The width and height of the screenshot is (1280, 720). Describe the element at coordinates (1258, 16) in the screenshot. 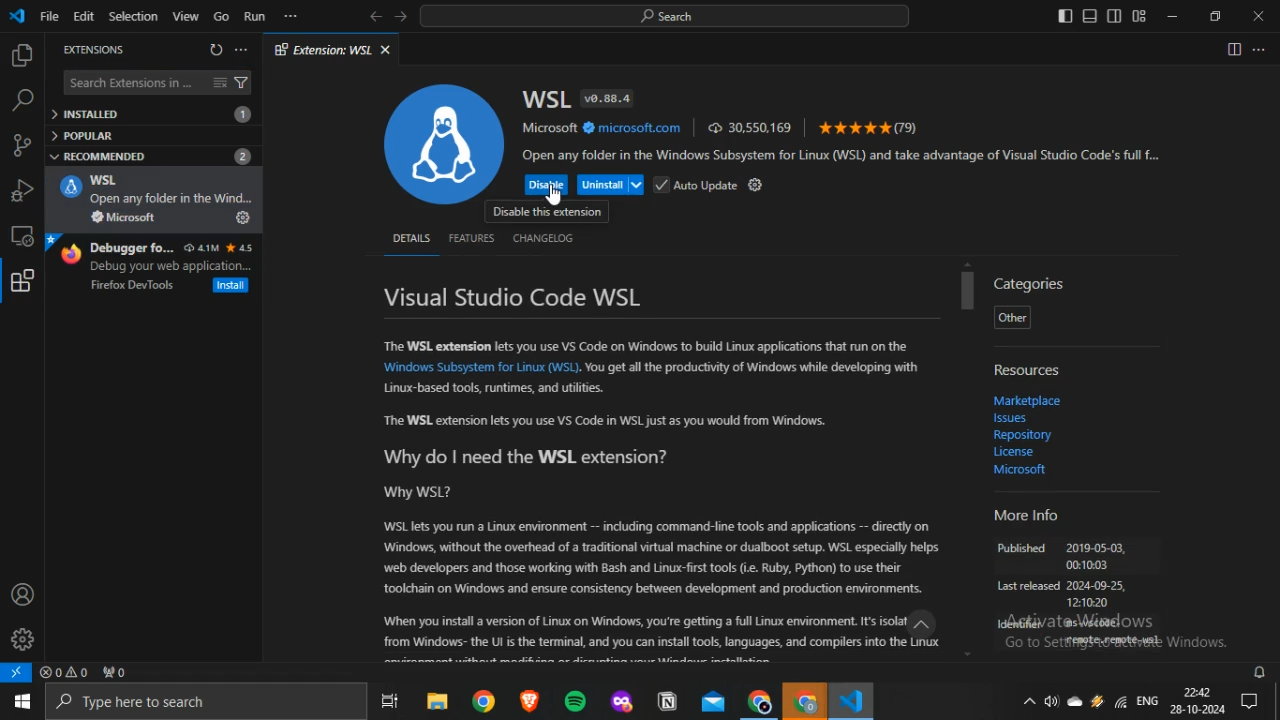

I see `close` at that location.